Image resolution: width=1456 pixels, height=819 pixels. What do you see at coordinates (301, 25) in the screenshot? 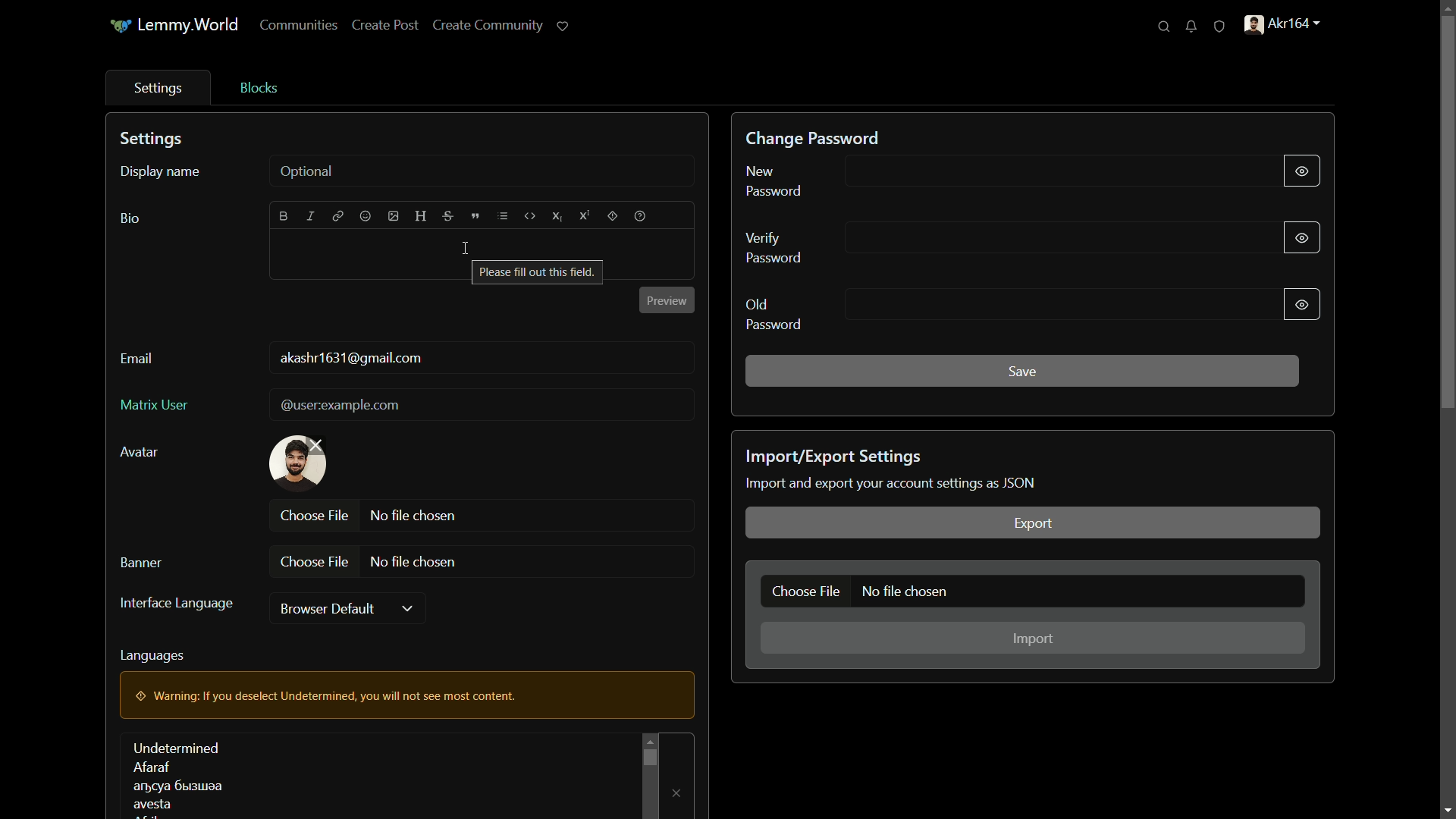
I see `communities` at bounding box center [301, 25].